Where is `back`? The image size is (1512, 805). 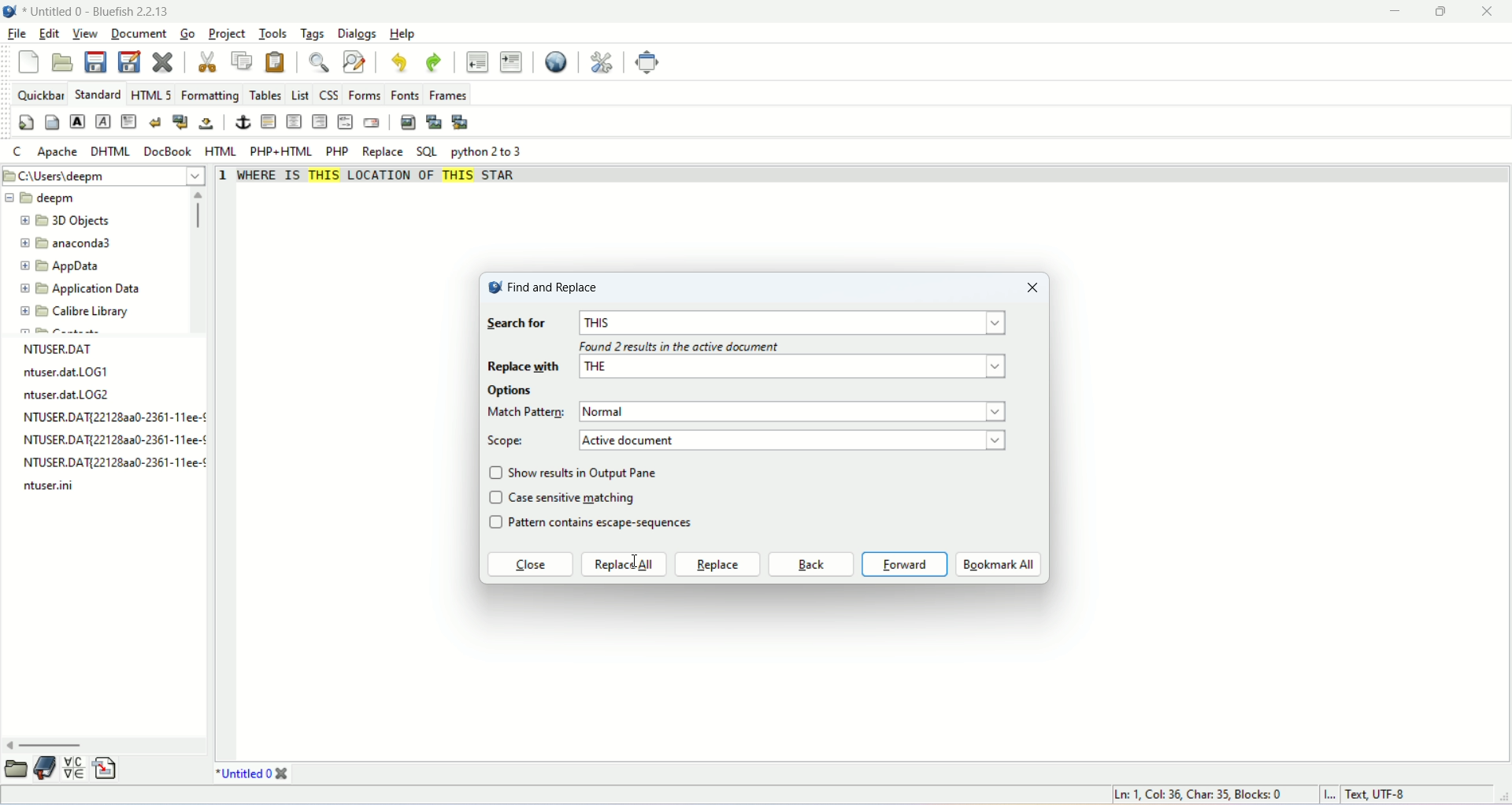 back is located at coordinates (810, 565).